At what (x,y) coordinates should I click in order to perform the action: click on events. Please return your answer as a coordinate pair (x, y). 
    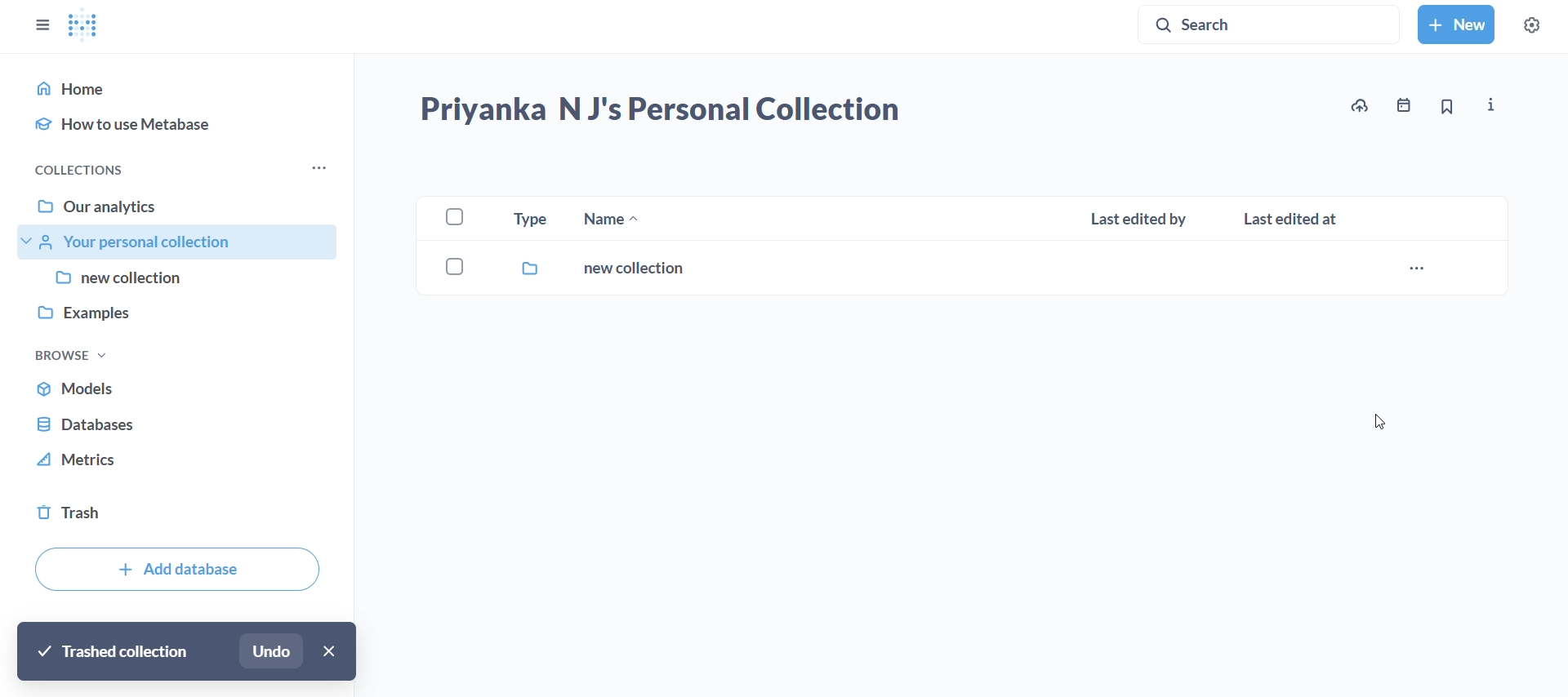
    Looking at the image, I should click on (1404, 107).